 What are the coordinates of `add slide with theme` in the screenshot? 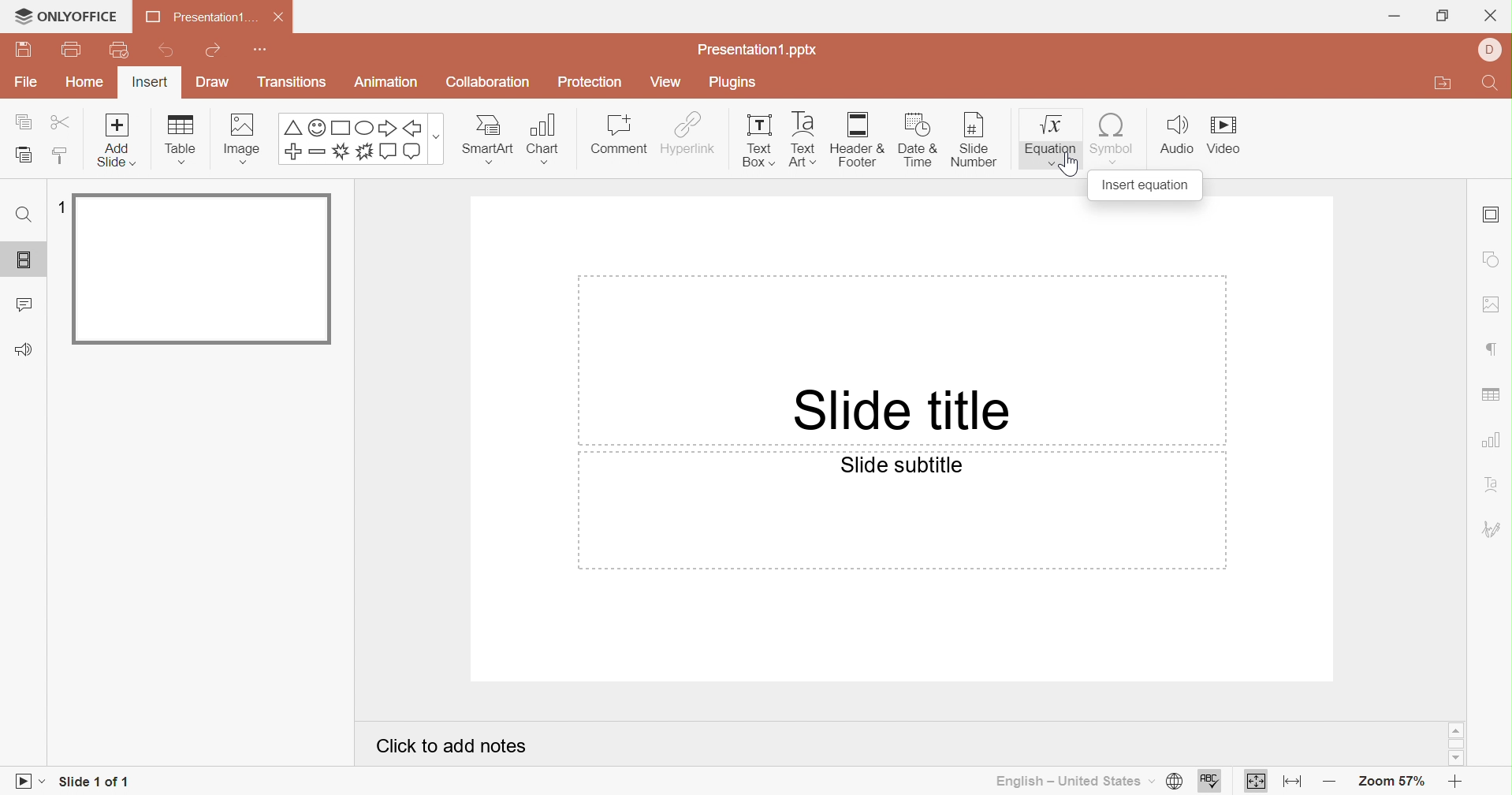 It's located at (114, 156).